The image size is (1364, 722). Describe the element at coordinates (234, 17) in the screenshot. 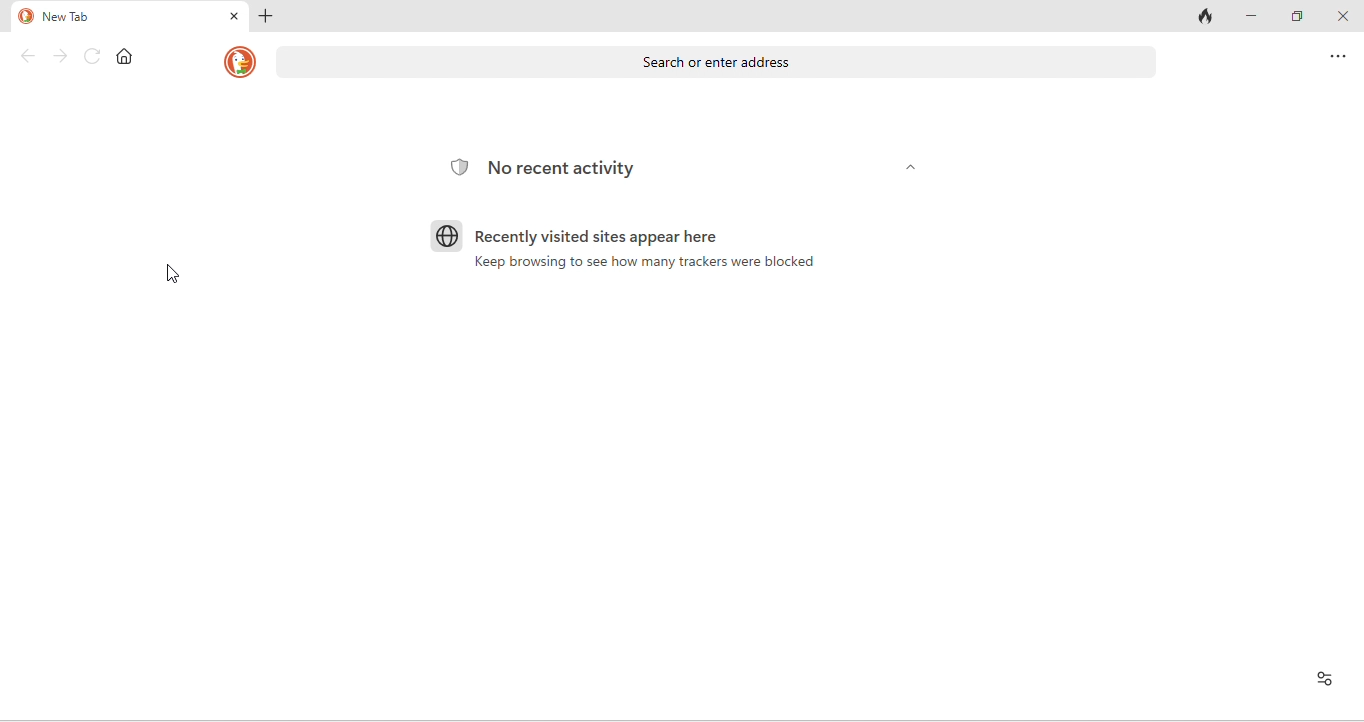

I see `close` at that location.